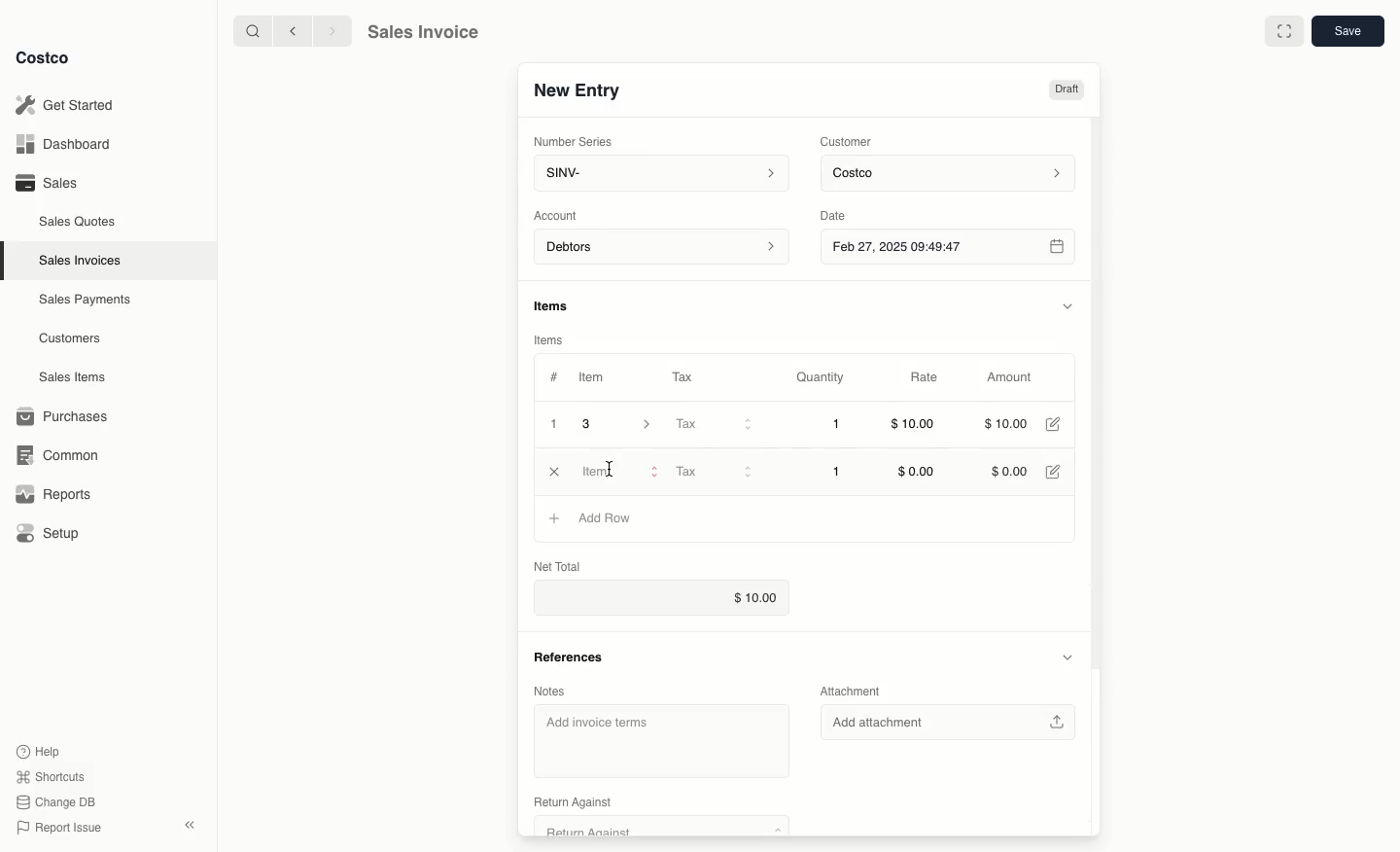 This screenshot has height=852, width=1400. Describe the element at coordinates (75, 375) in the screenshot. I see `Sales Items` at that location.